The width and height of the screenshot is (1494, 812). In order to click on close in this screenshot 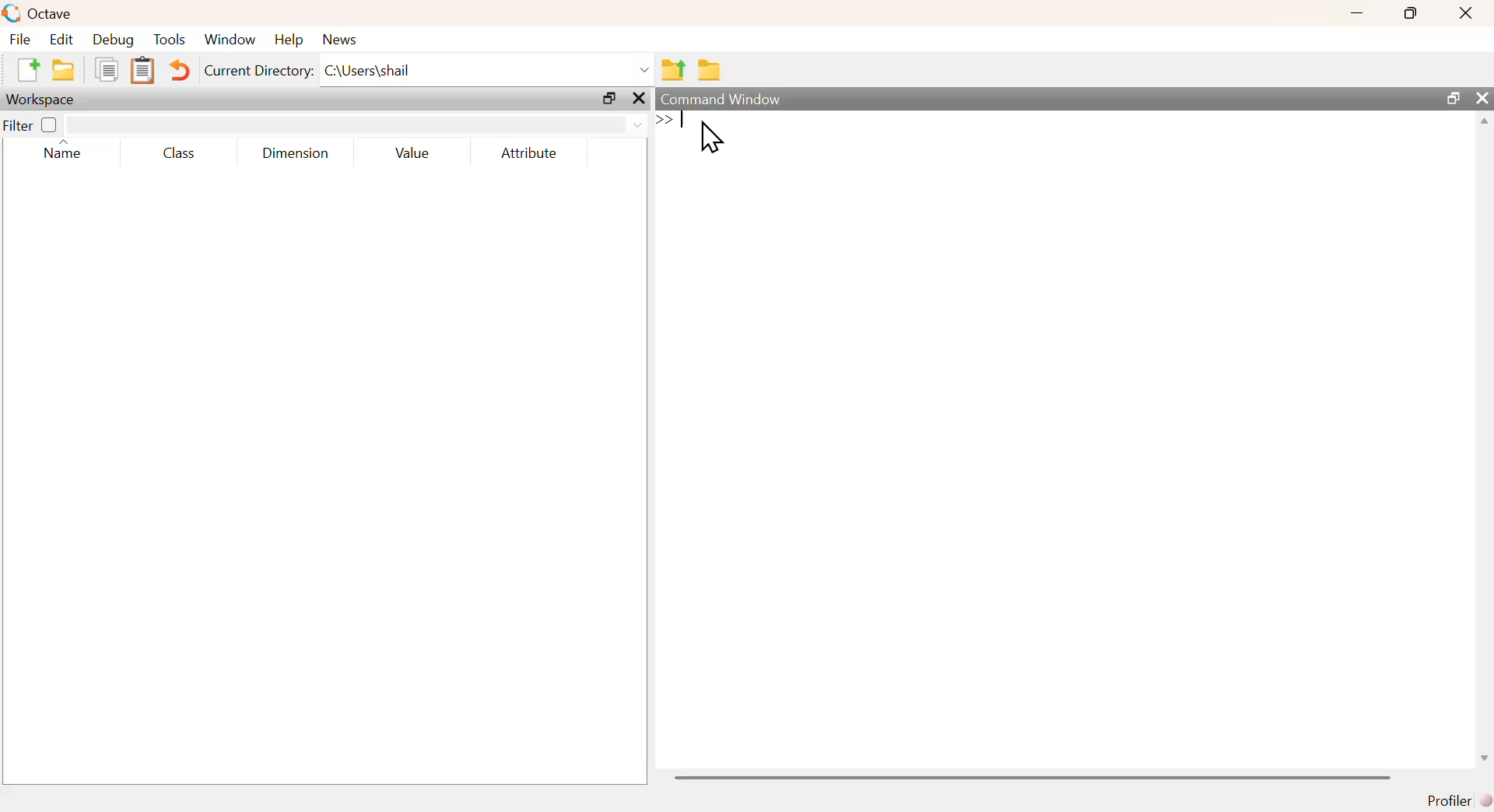, I will do `click(1470, 13)`.